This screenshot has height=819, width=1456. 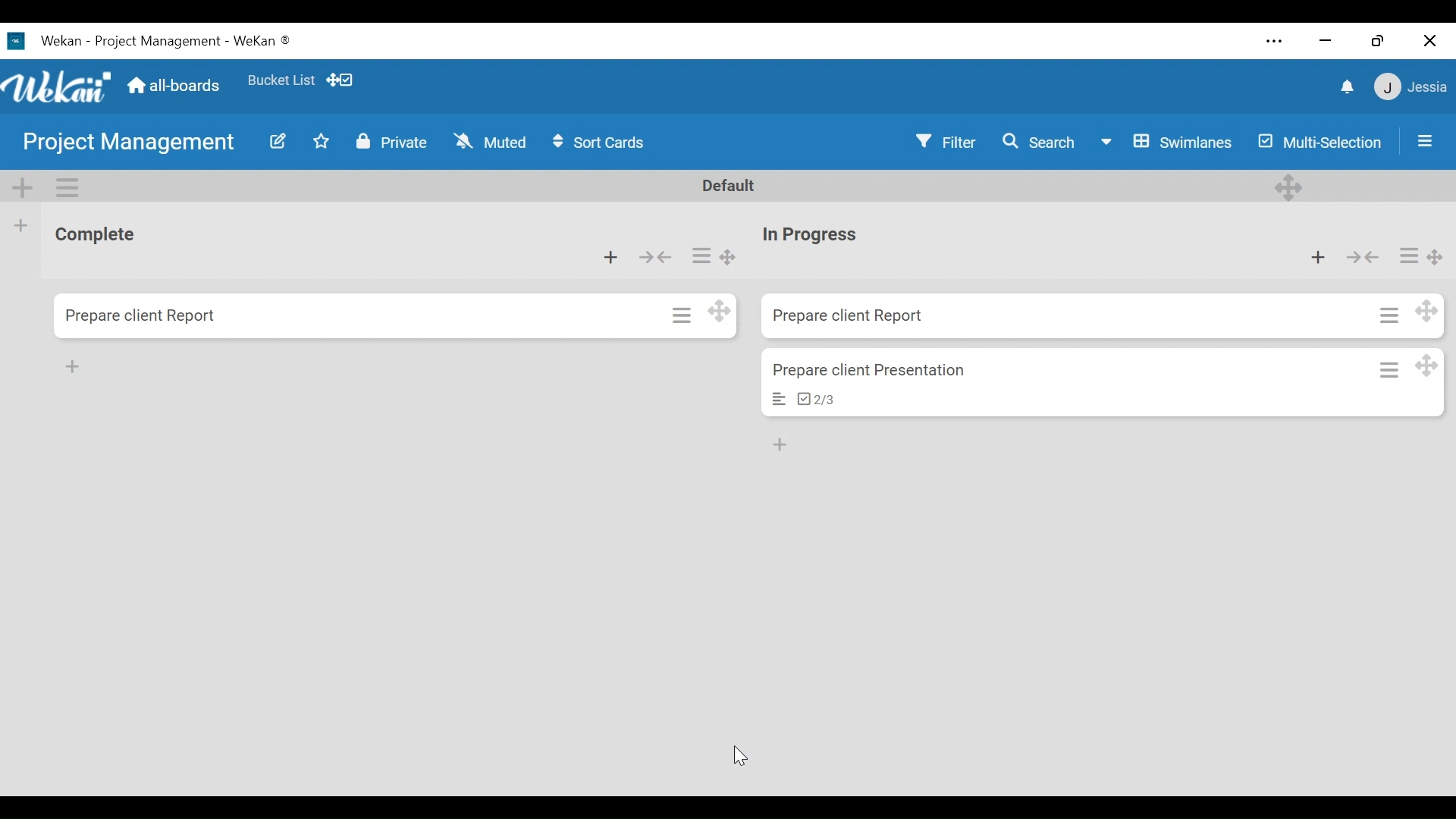 What do you see at coordinates (1414, 141) in the screenshot?
I see `Sidebar` at bounding box center [1414, 141].